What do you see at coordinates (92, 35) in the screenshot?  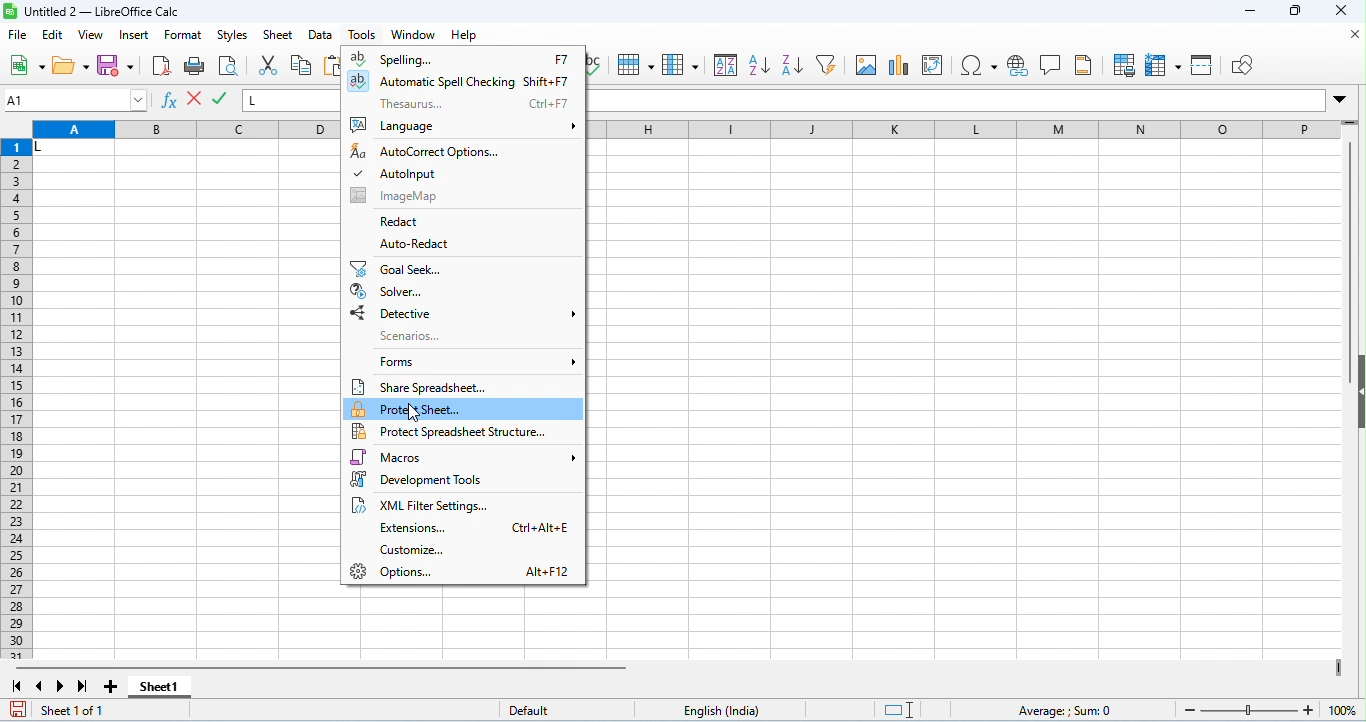 I see `view` at bounding box center [92, 35].